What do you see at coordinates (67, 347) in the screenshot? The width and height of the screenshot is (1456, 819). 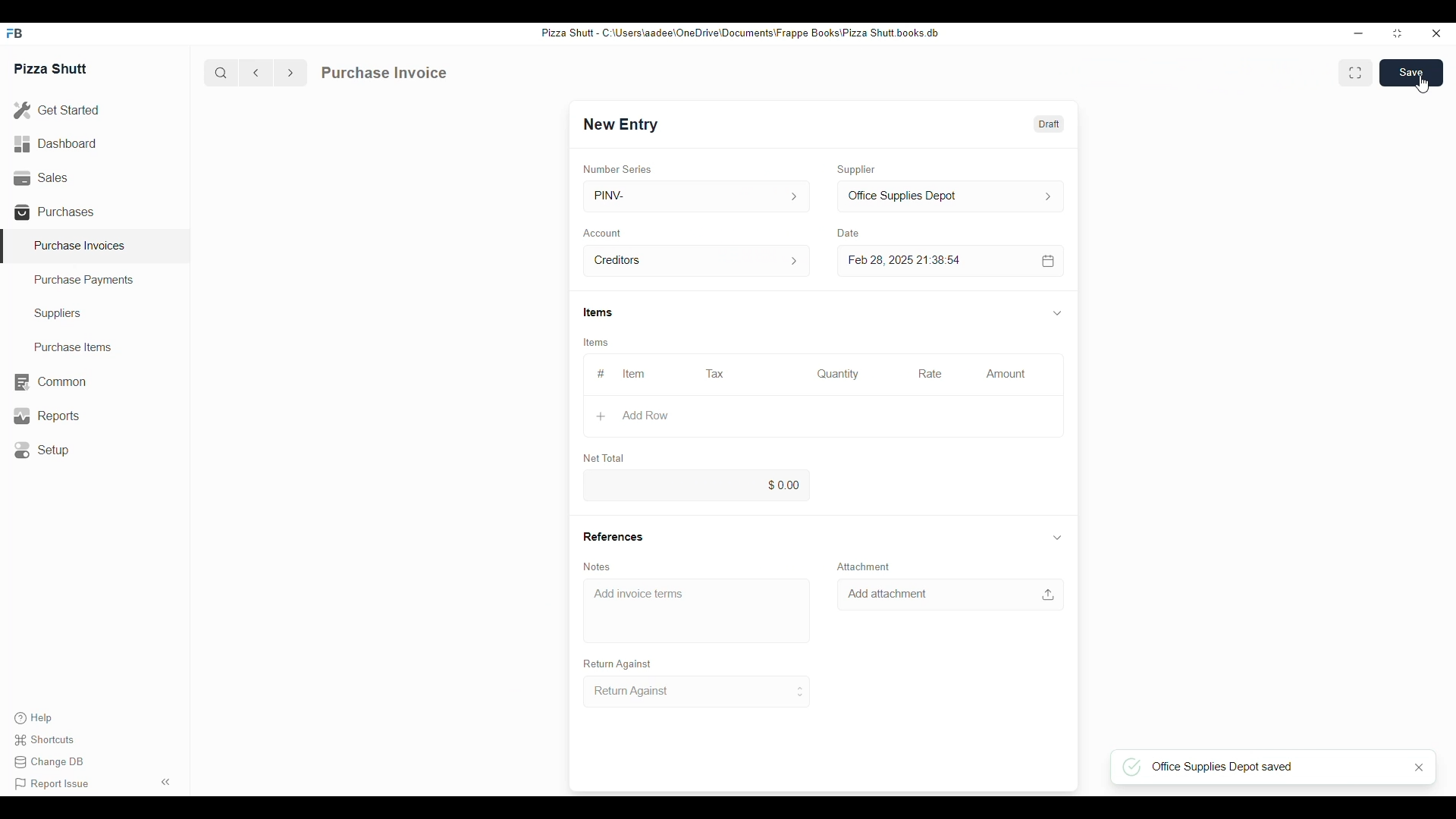 I see `Purchase Items` at bounding box center [67, 347].